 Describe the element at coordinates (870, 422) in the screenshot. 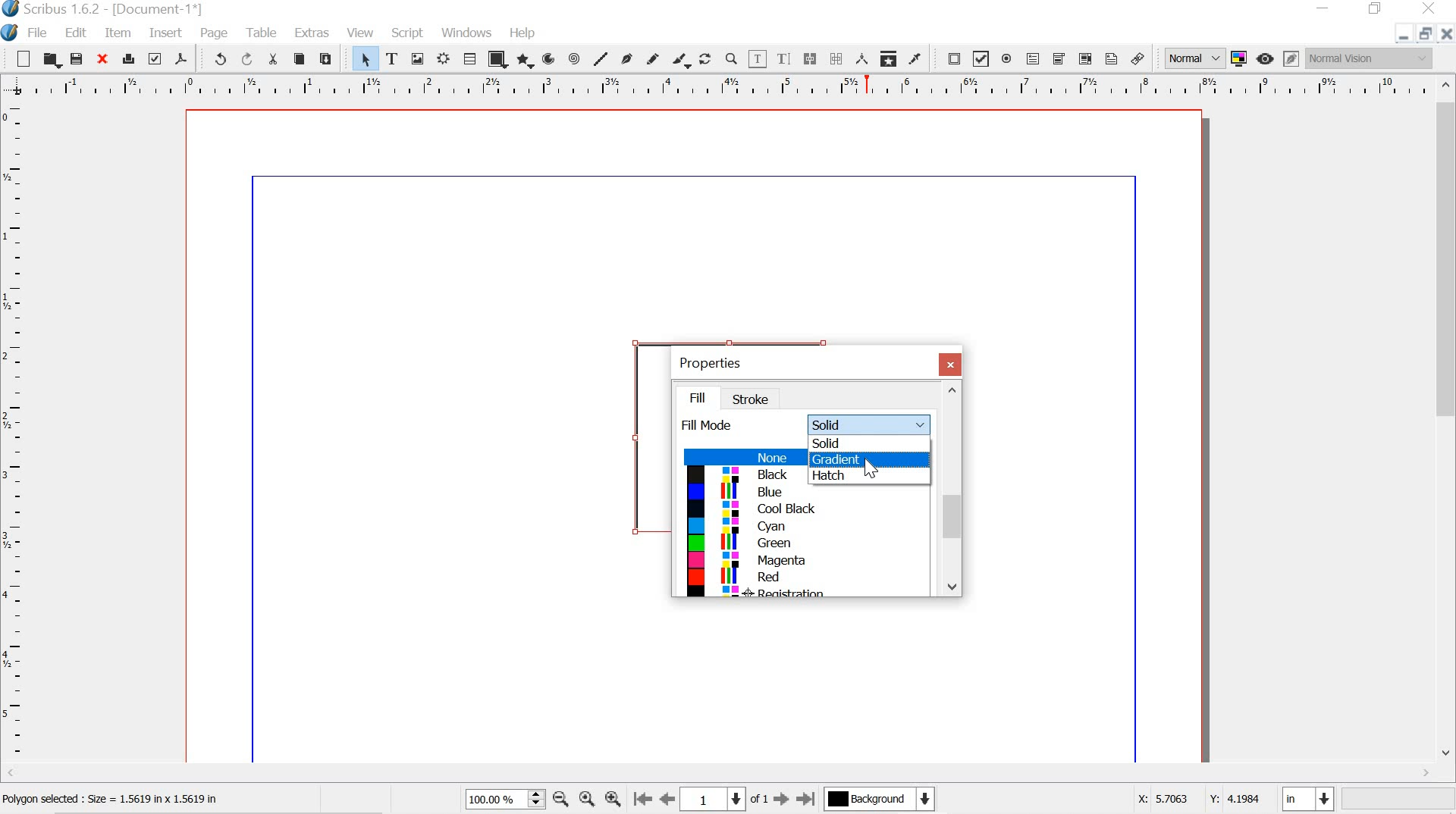

I see `solid` at that location.